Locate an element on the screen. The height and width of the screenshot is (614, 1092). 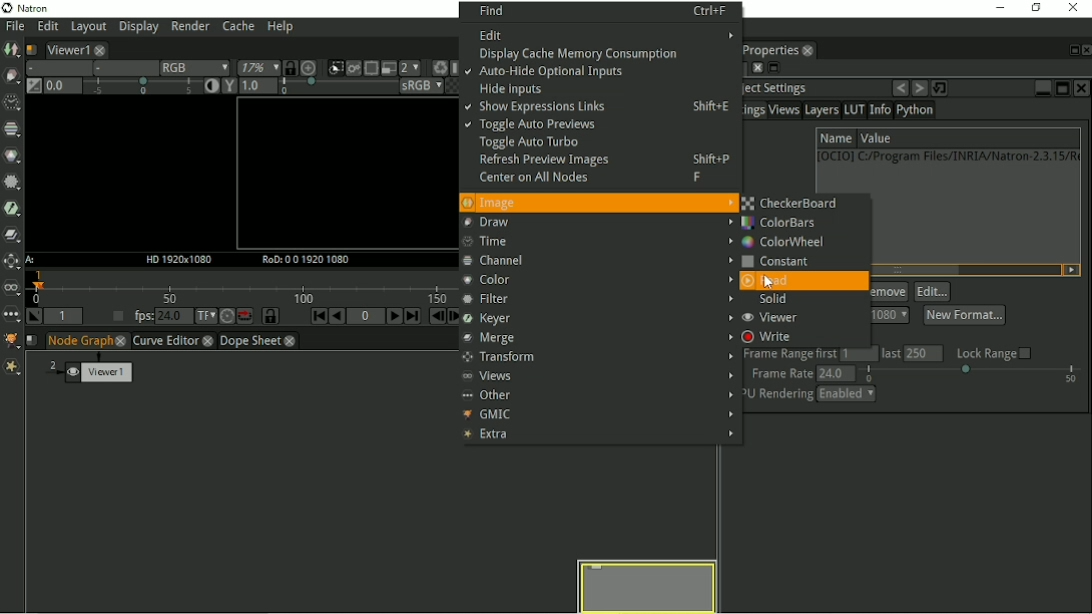
Switch between neutral 1.0 gain f stop and the previous setting is located at coordinates (32, 87).